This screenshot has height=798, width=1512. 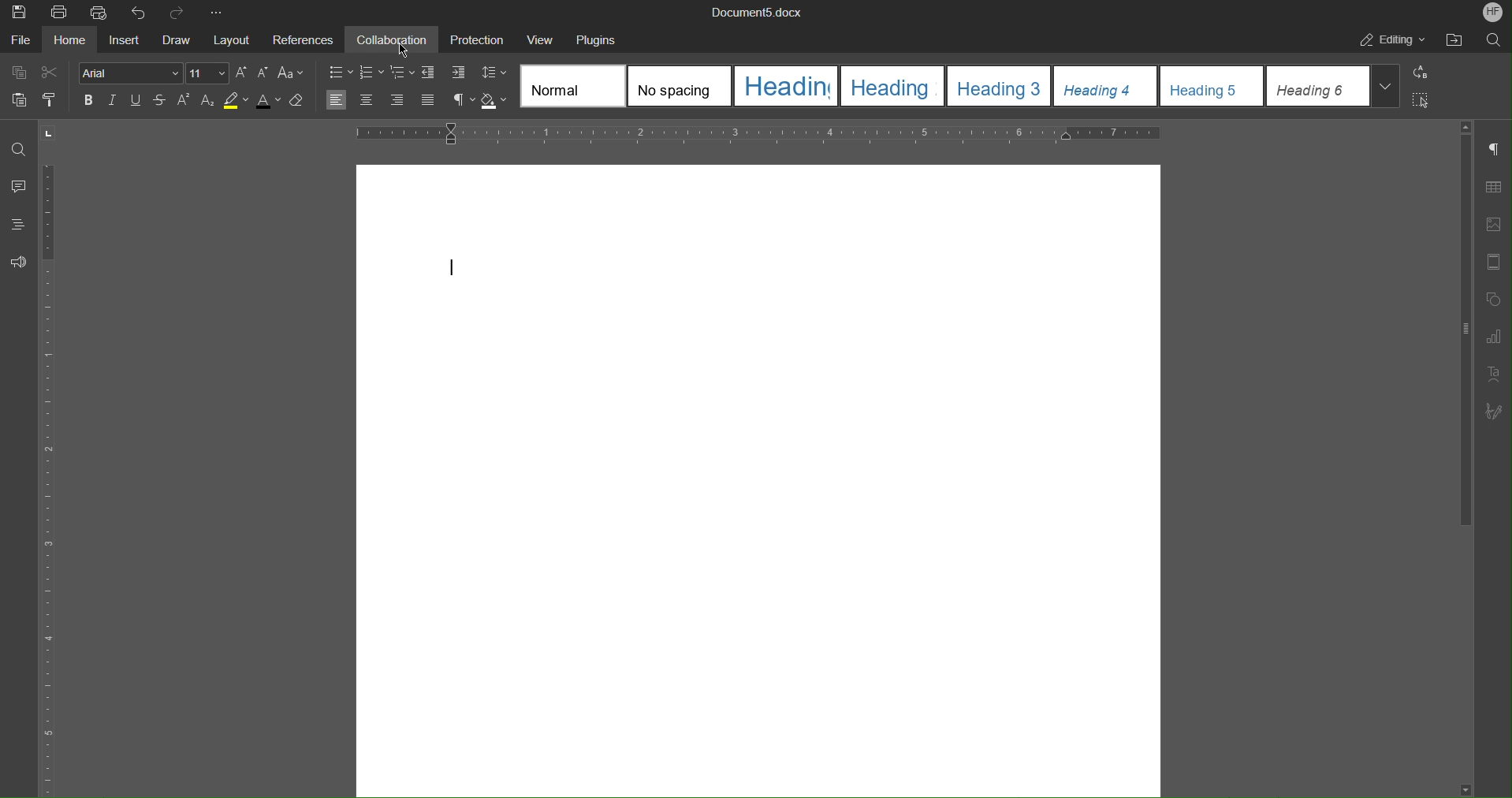 What do you see at coordinates (263, 73) in the screenshot?
I see `Decrease size` at bounding box center [263, 73].